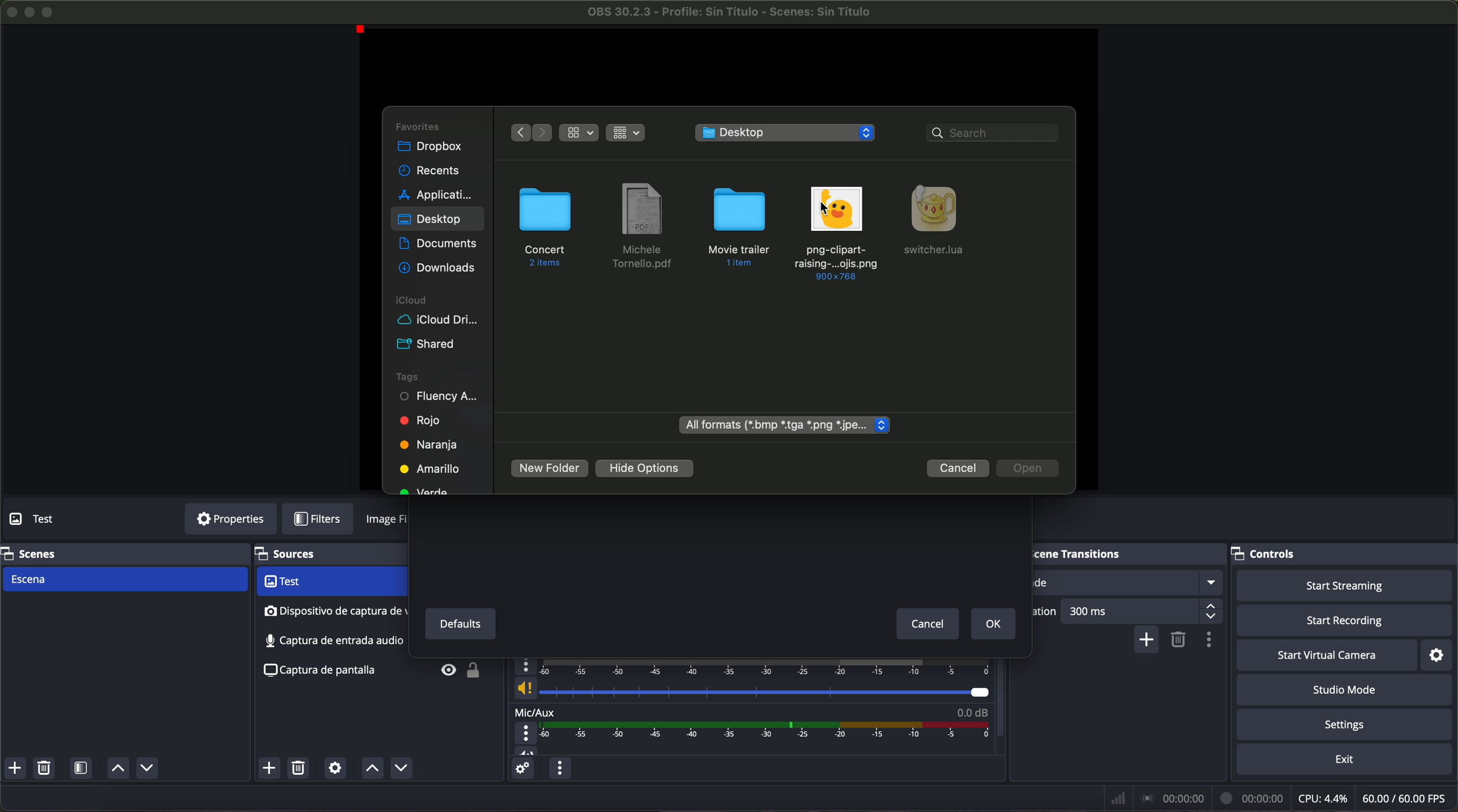  I want to click on downloads, so click(436, 268).